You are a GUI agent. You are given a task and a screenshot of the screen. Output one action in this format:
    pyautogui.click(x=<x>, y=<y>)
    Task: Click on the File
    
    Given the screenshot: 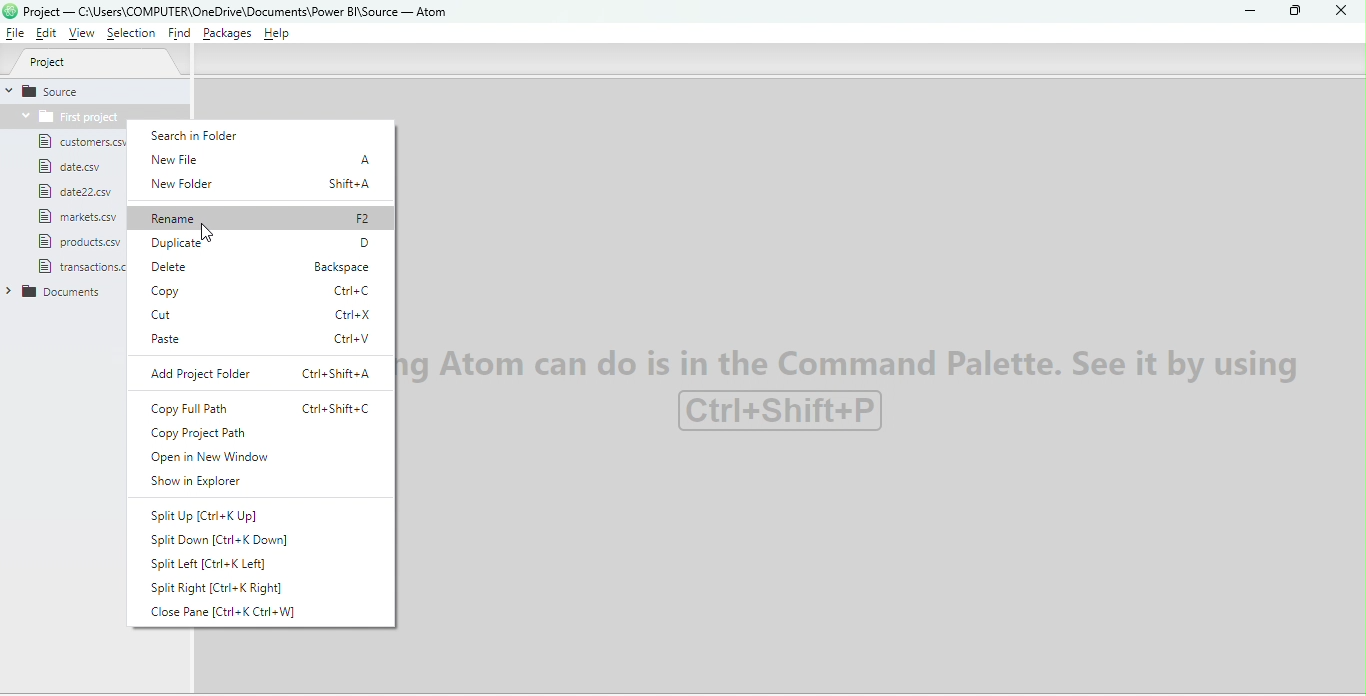 What is the action you would take?
    pyautogui.click(x=71, y=216)
    